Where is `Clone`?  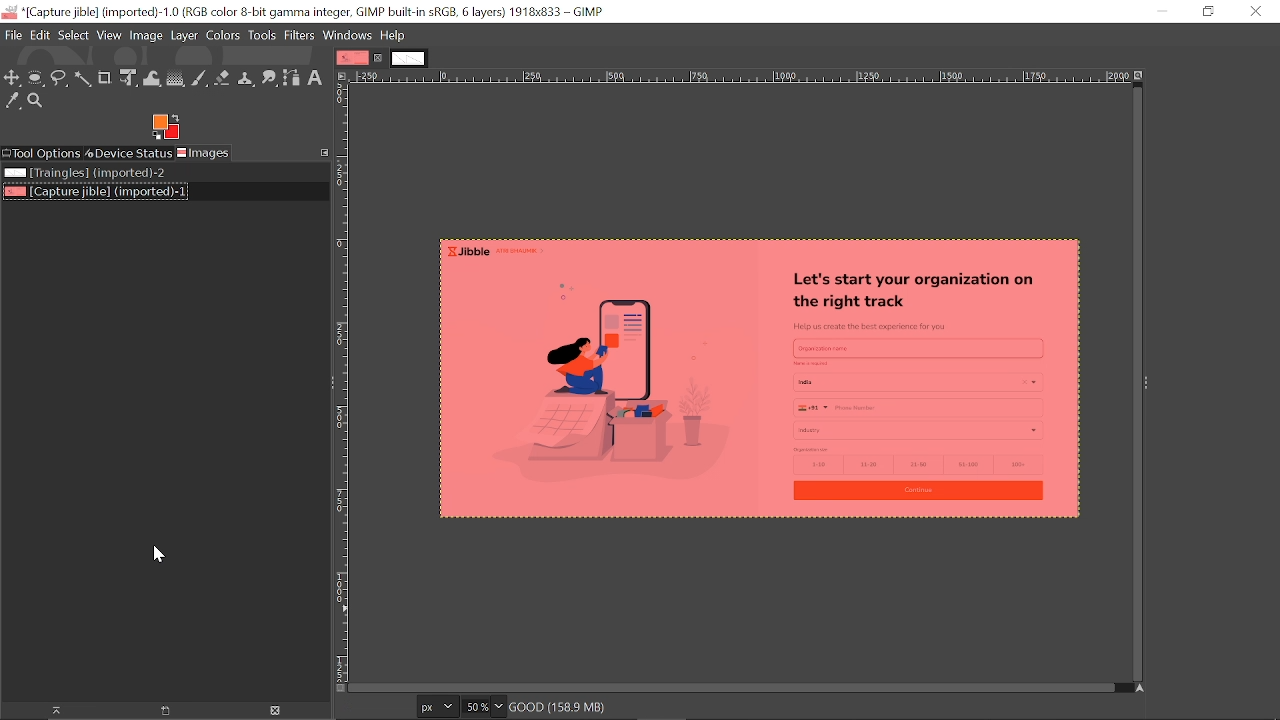
Clone is located at coordinates (247, 77).